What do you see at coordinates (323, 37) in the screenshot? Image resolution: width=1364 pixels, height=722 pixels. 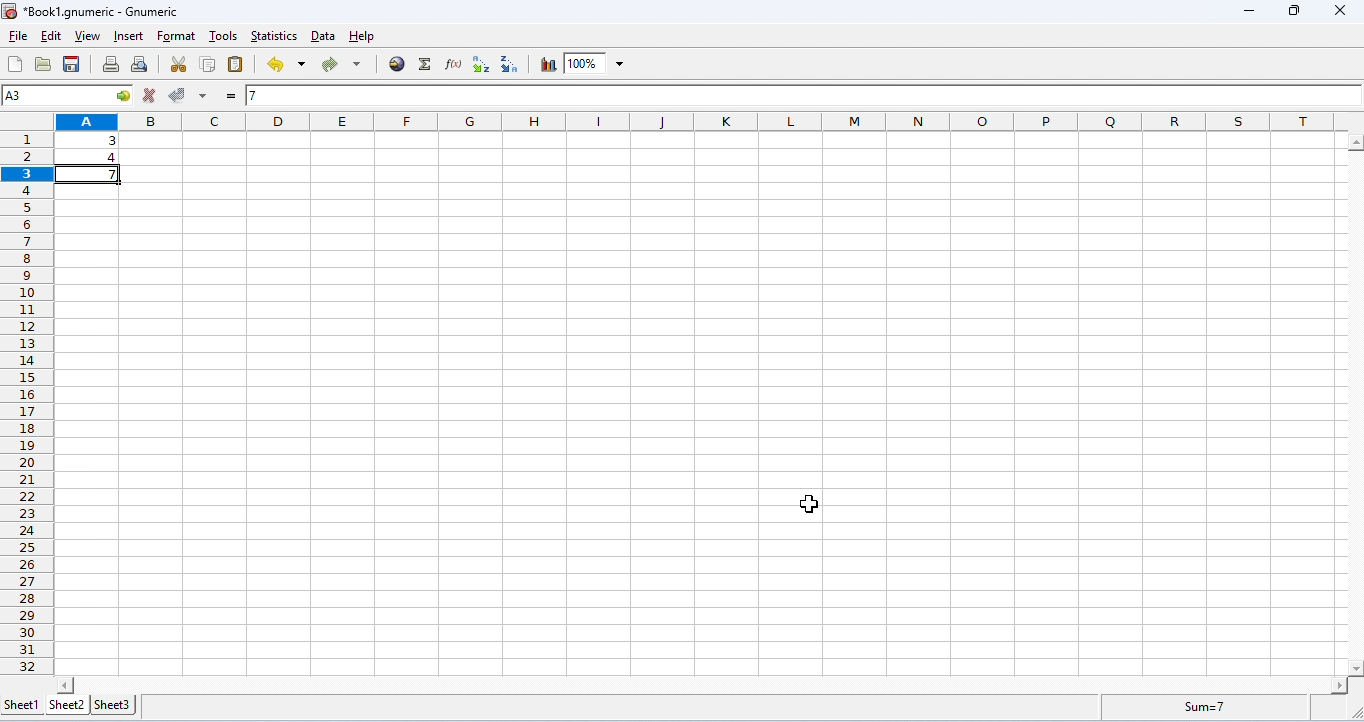 I see `data` at bounding box center [323, 37].